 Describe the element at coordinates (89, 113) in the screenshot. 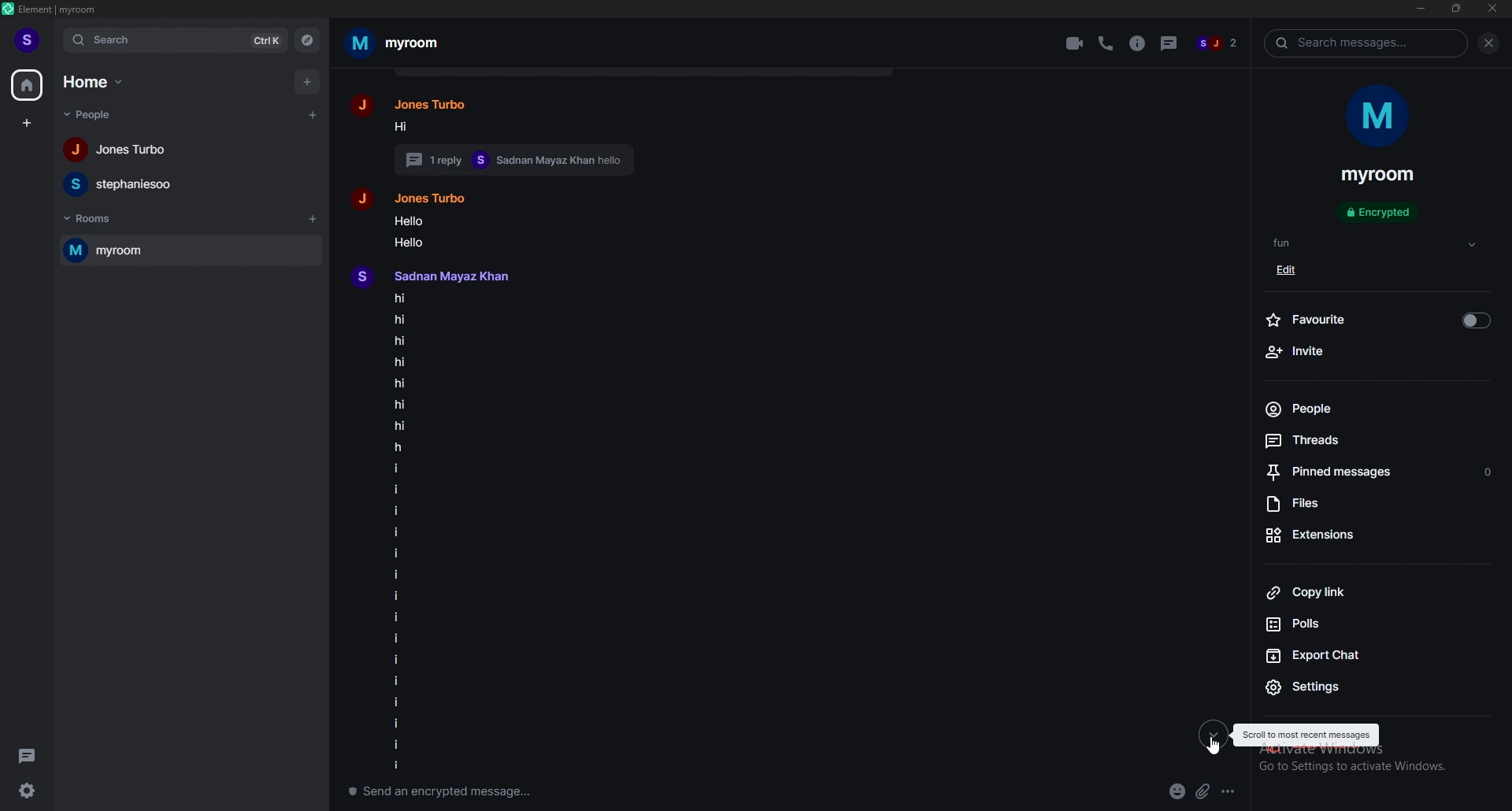

I see `people` at that location.